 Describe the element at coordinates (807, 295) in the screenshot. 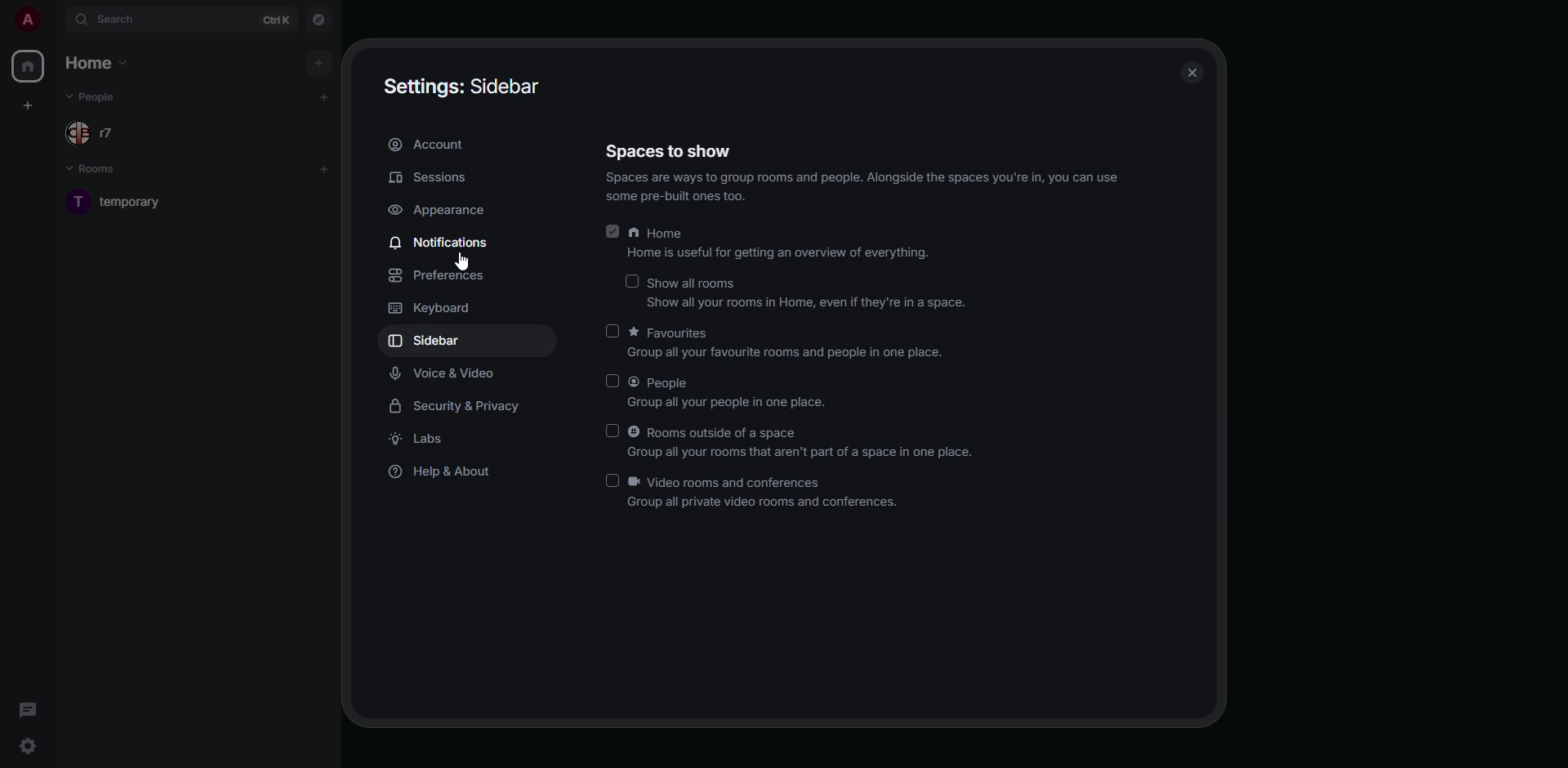

I see `show all rooms` at that location.